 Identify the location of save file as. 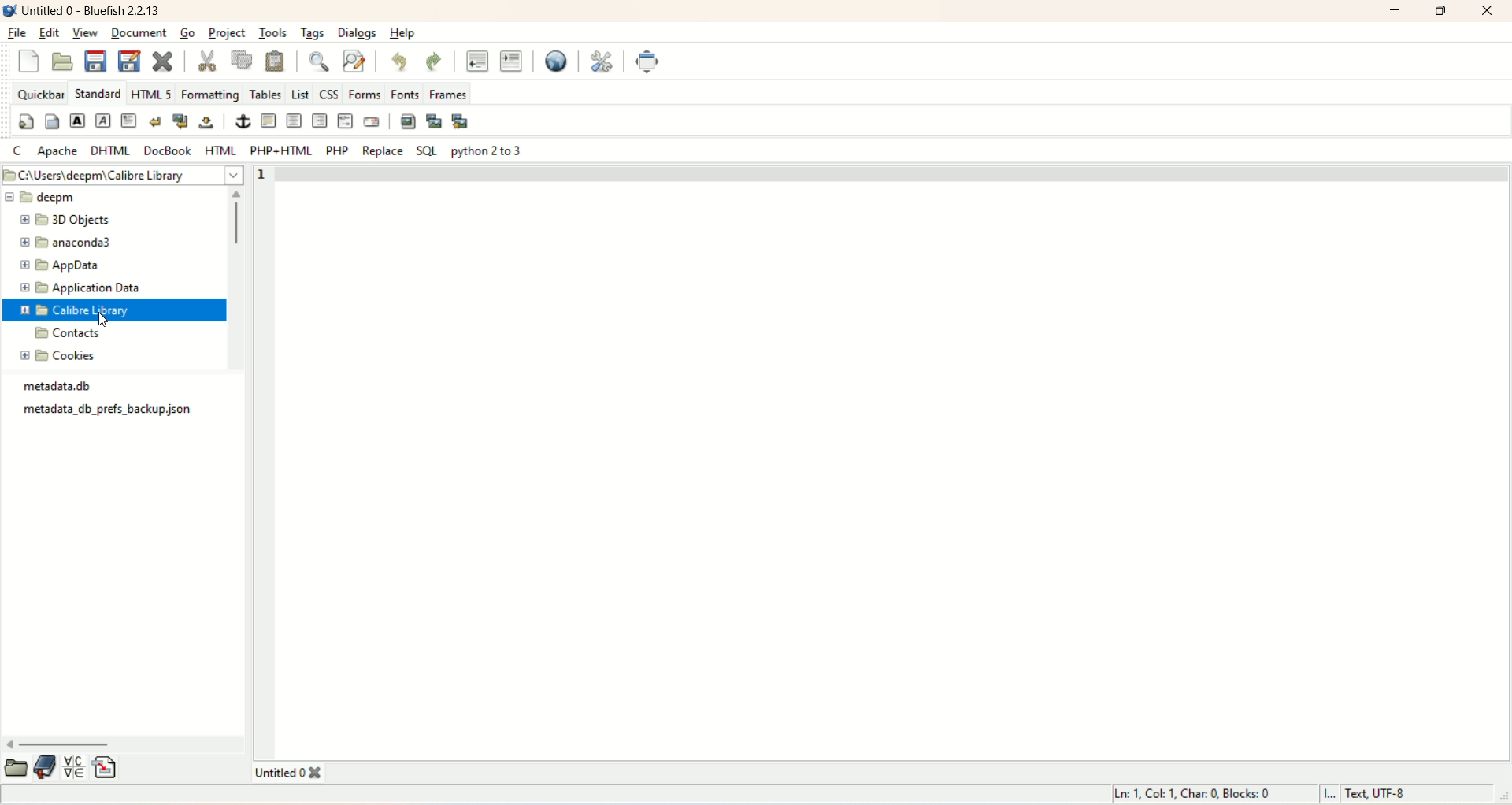
(128, 61).